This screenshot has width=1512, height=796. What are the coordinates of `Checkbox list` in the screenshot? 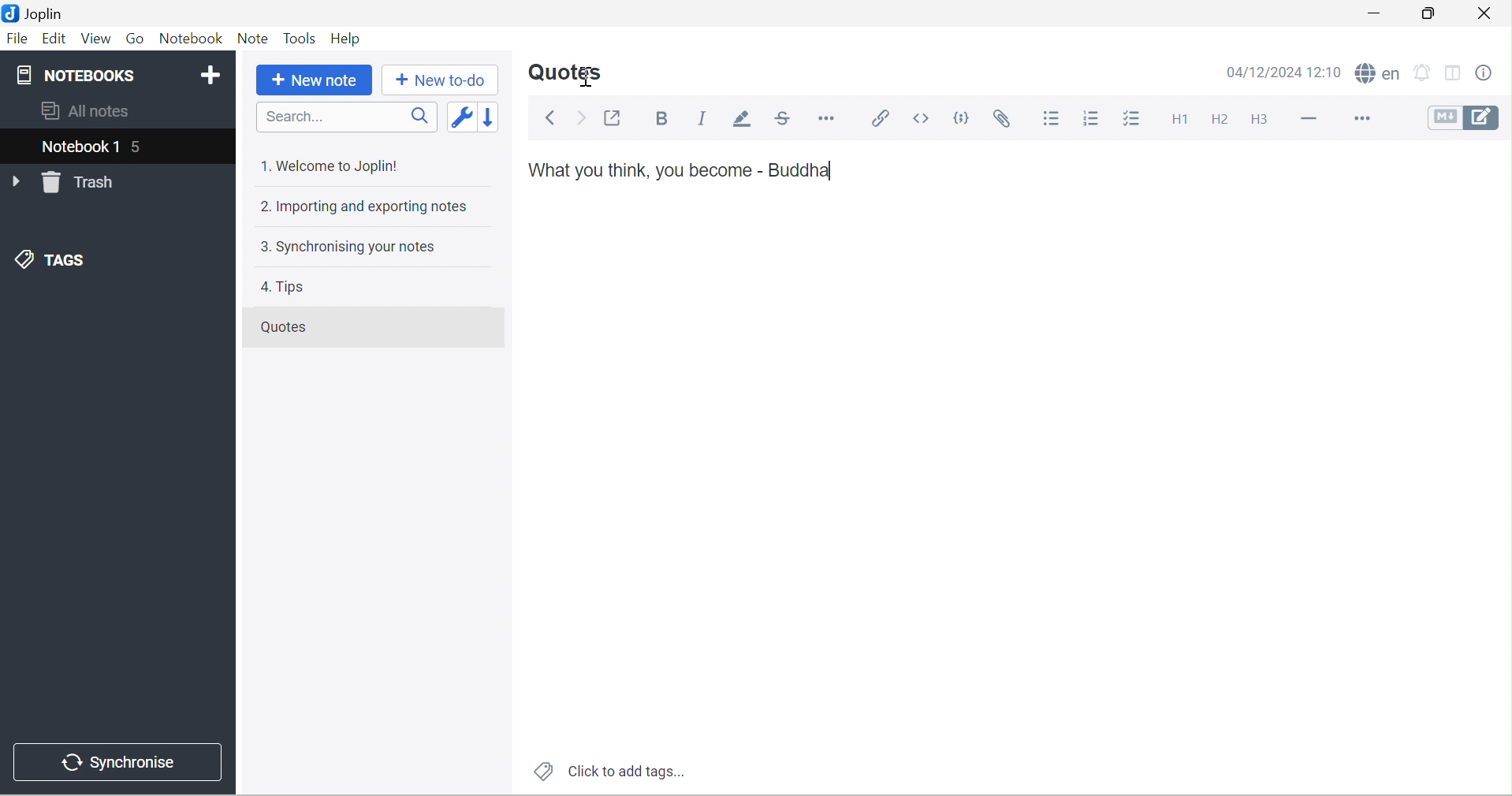 It's located at (1130, 118).